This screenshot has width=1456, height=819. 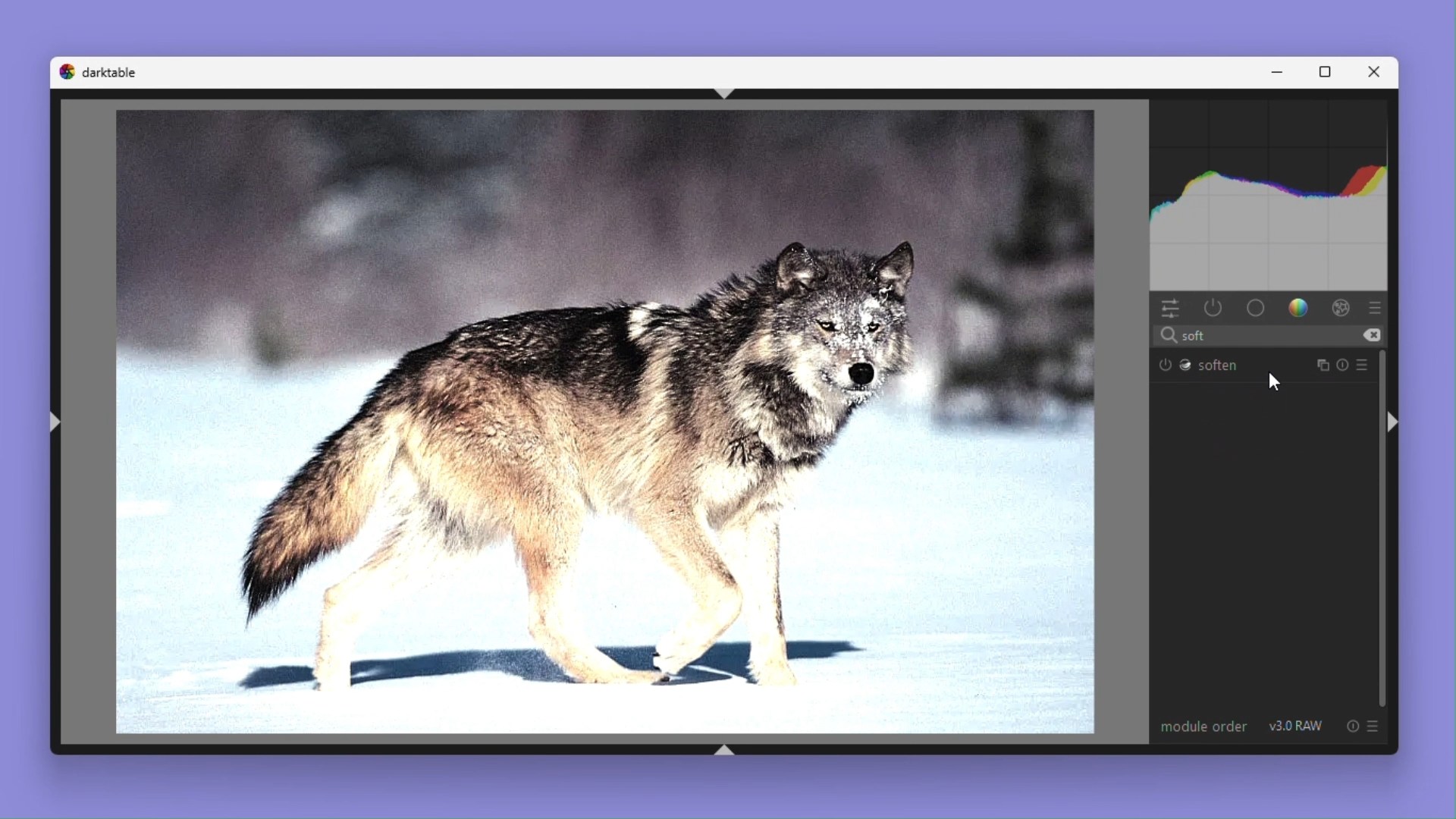 I want to click on Close , so click(x=1379, y=71).